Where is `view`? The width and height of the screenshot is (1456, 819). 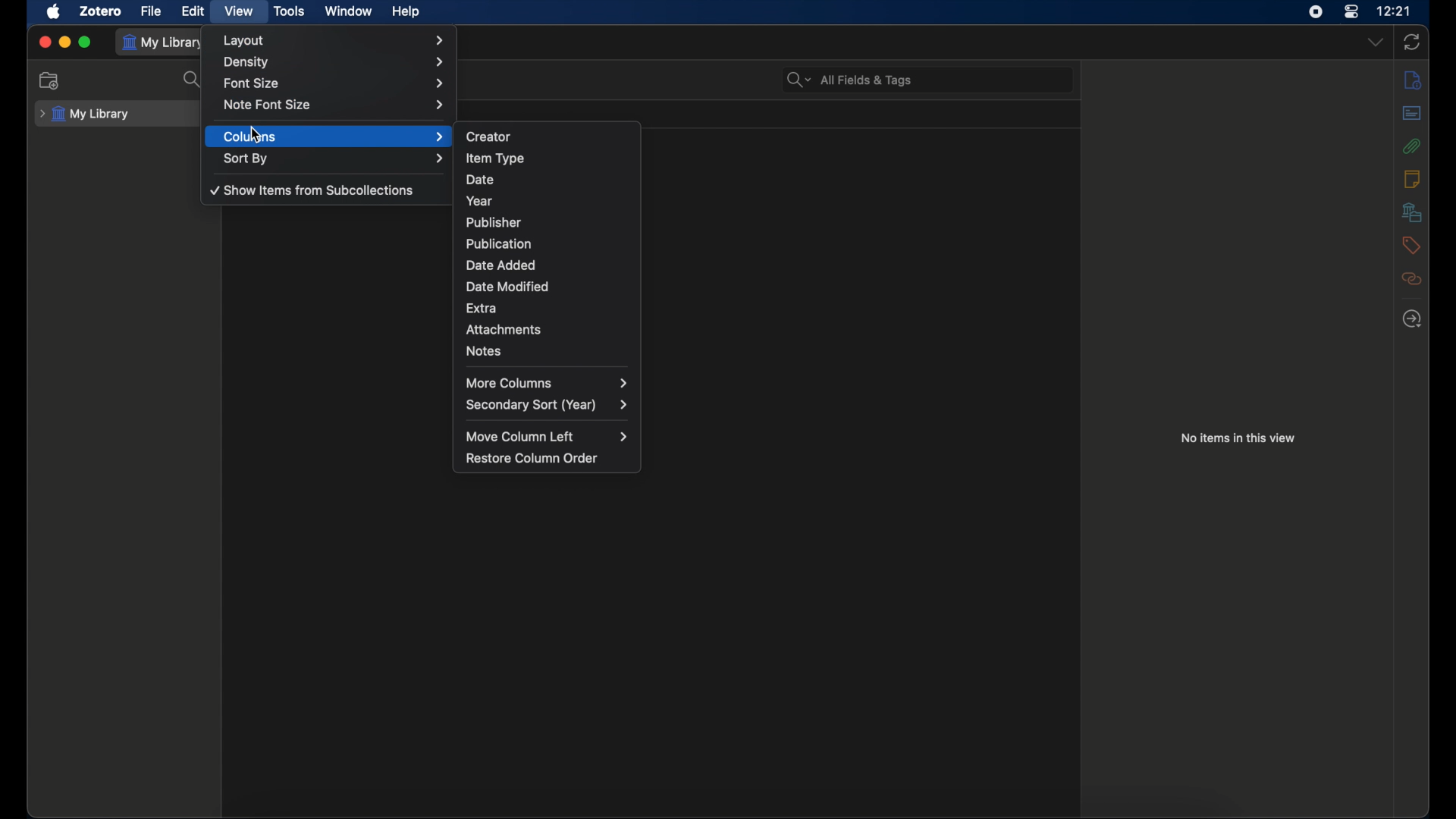
view is located at coordinates (240, 11).